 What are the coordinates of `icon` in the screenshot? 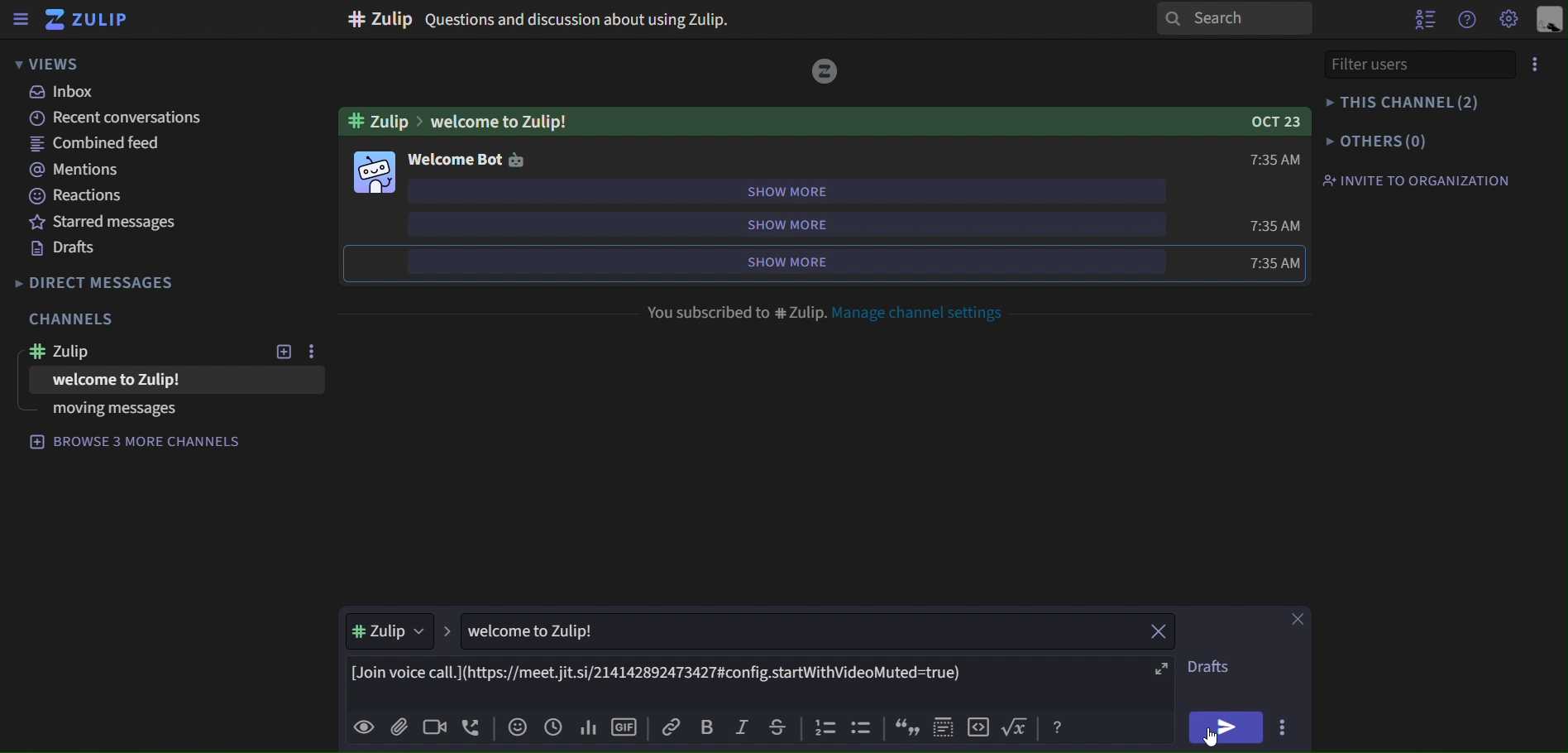 It's located at (860, 728).